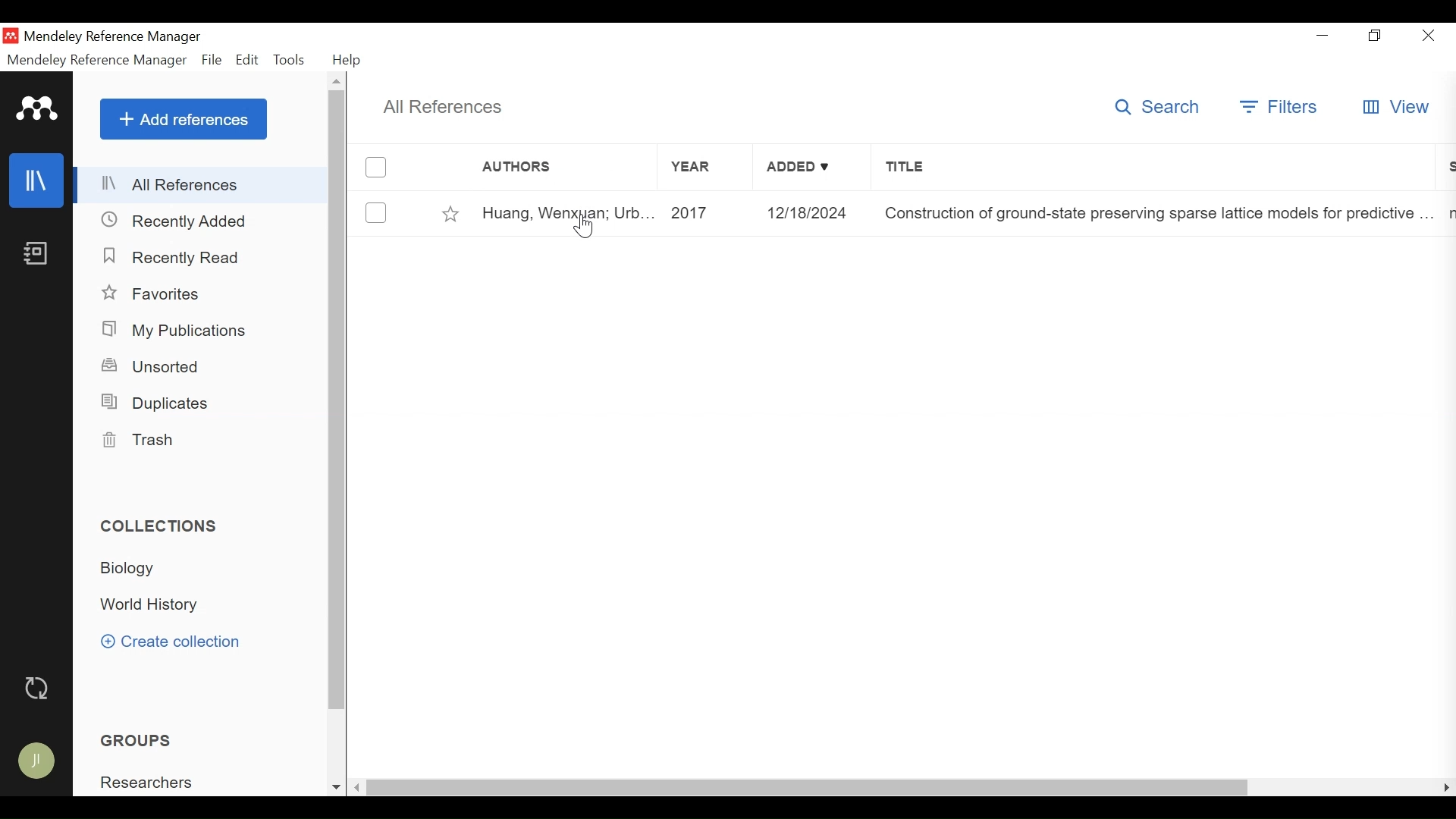  What do you see at coordinates (202, 184) in the screenshot?
I see `All References` at bounding box center [202, 184].